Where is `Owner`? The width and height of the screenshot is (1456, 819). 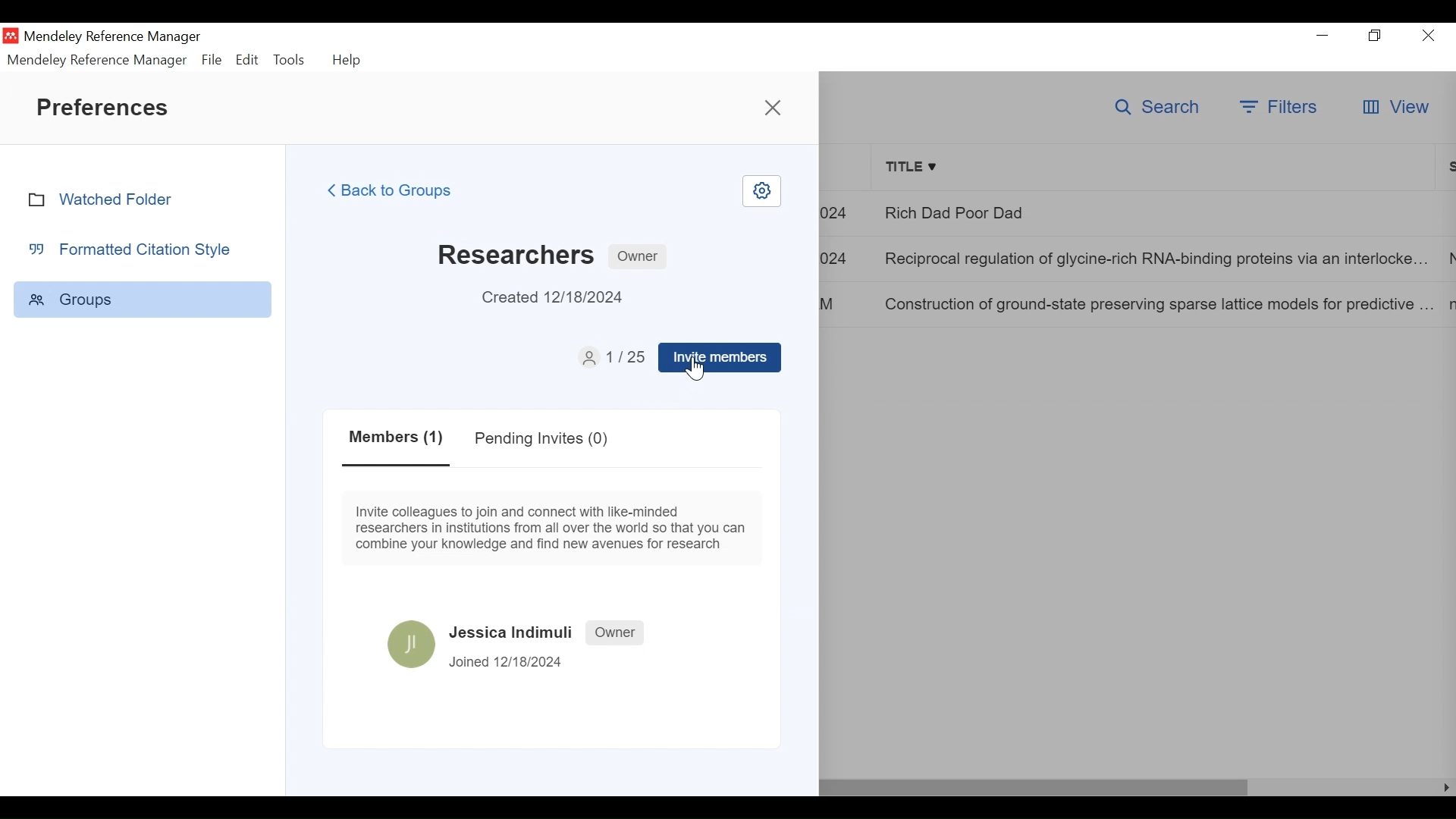
Owner is located at coordinates (617, 632).